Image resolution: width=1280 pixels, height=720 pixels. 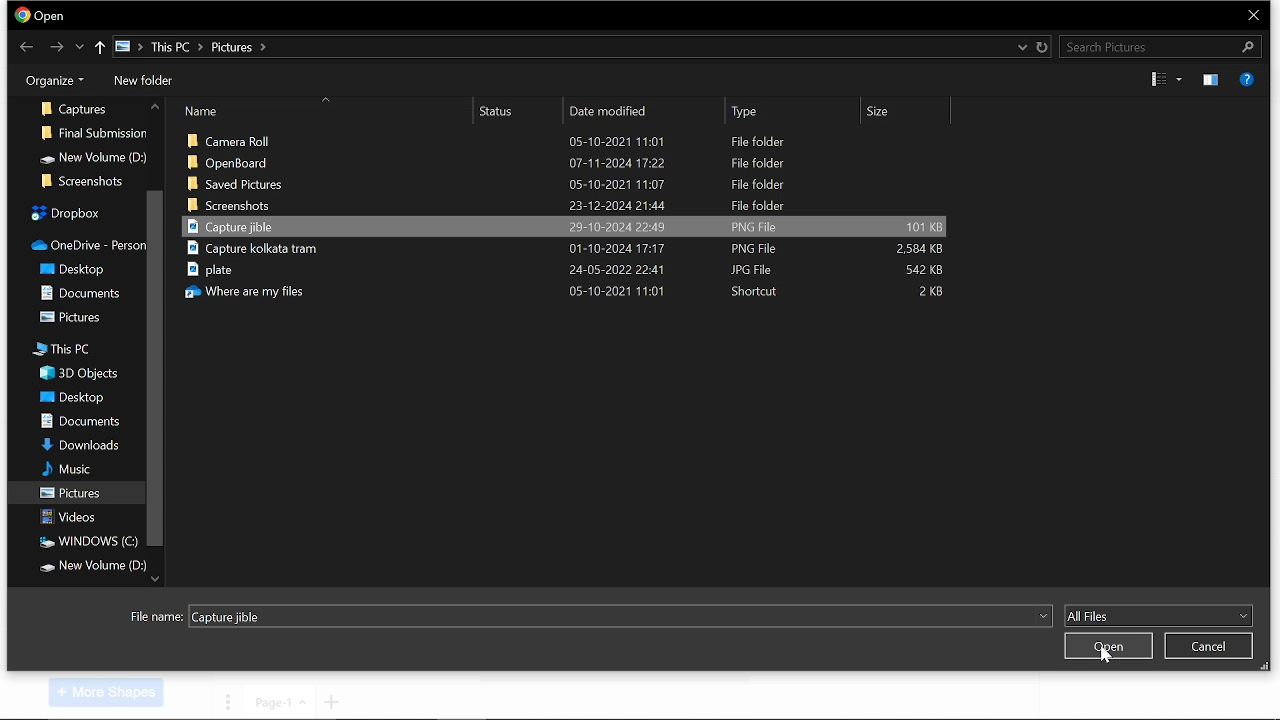 I want to click on folders, so click(x=75, y=267).